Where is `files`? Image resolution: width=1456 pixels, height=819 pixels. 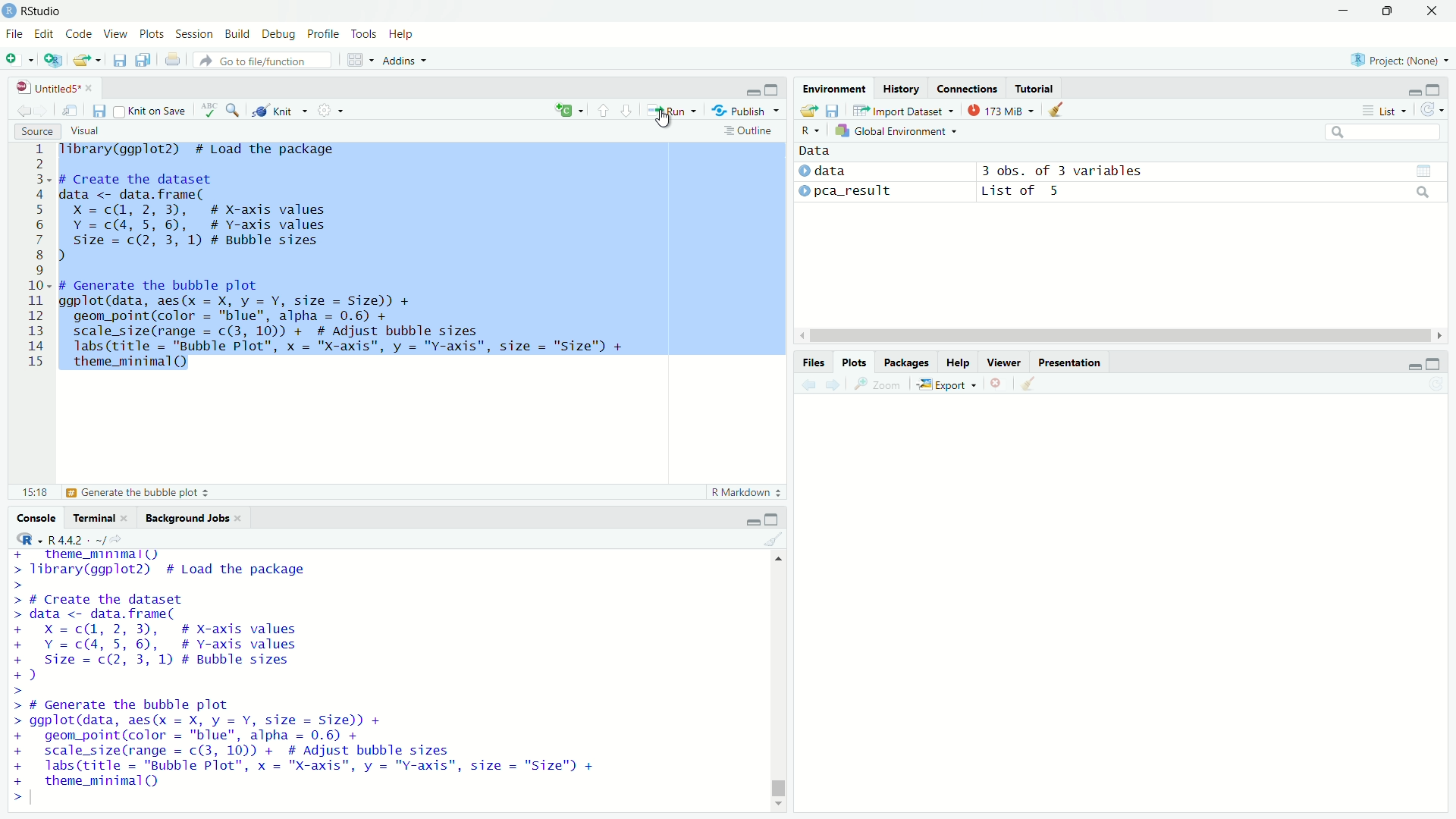
files is located at coordinates (815, 362).